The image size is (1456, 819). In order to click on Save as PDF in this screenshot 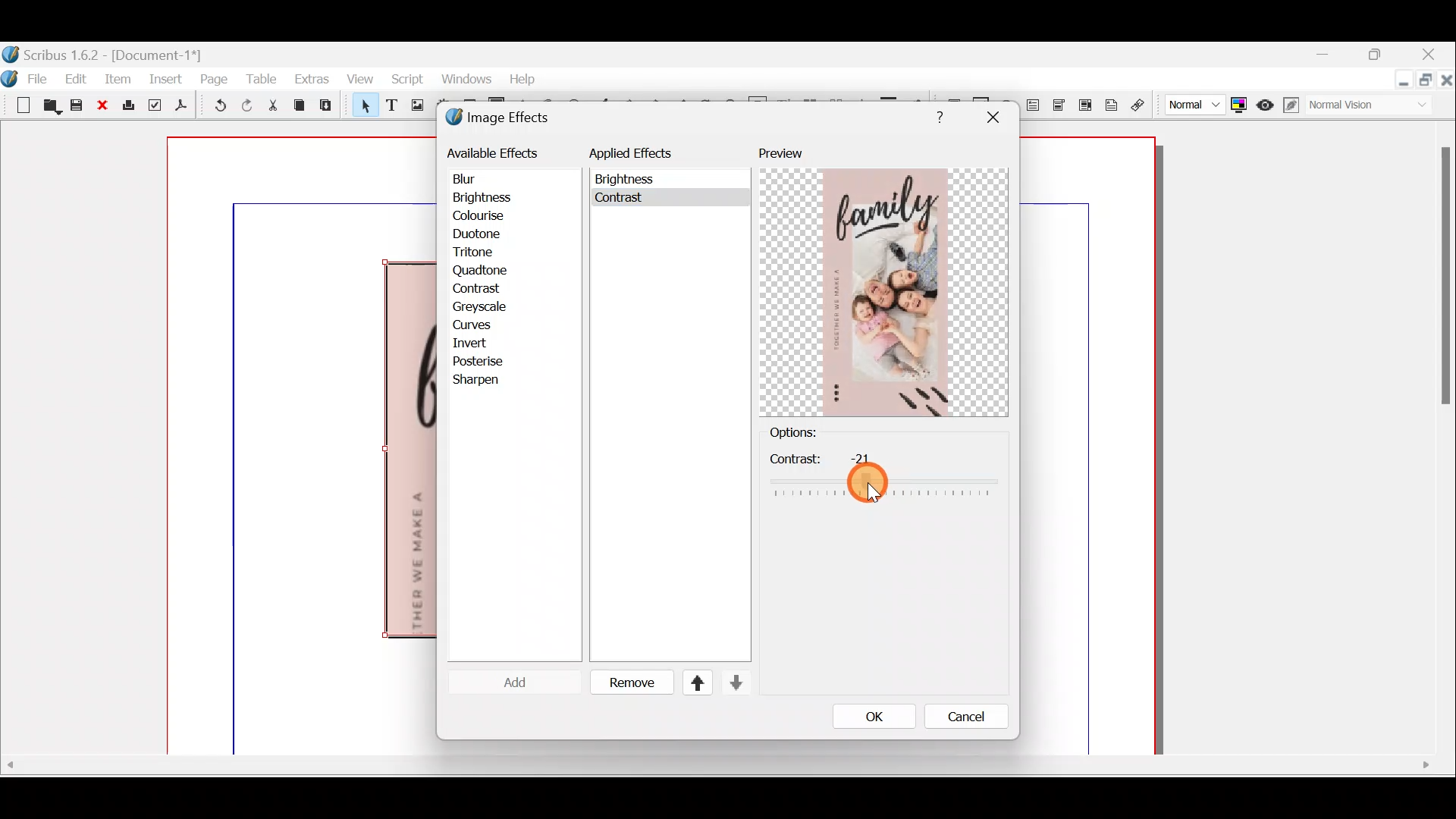, I will do `click(179, 108)`.